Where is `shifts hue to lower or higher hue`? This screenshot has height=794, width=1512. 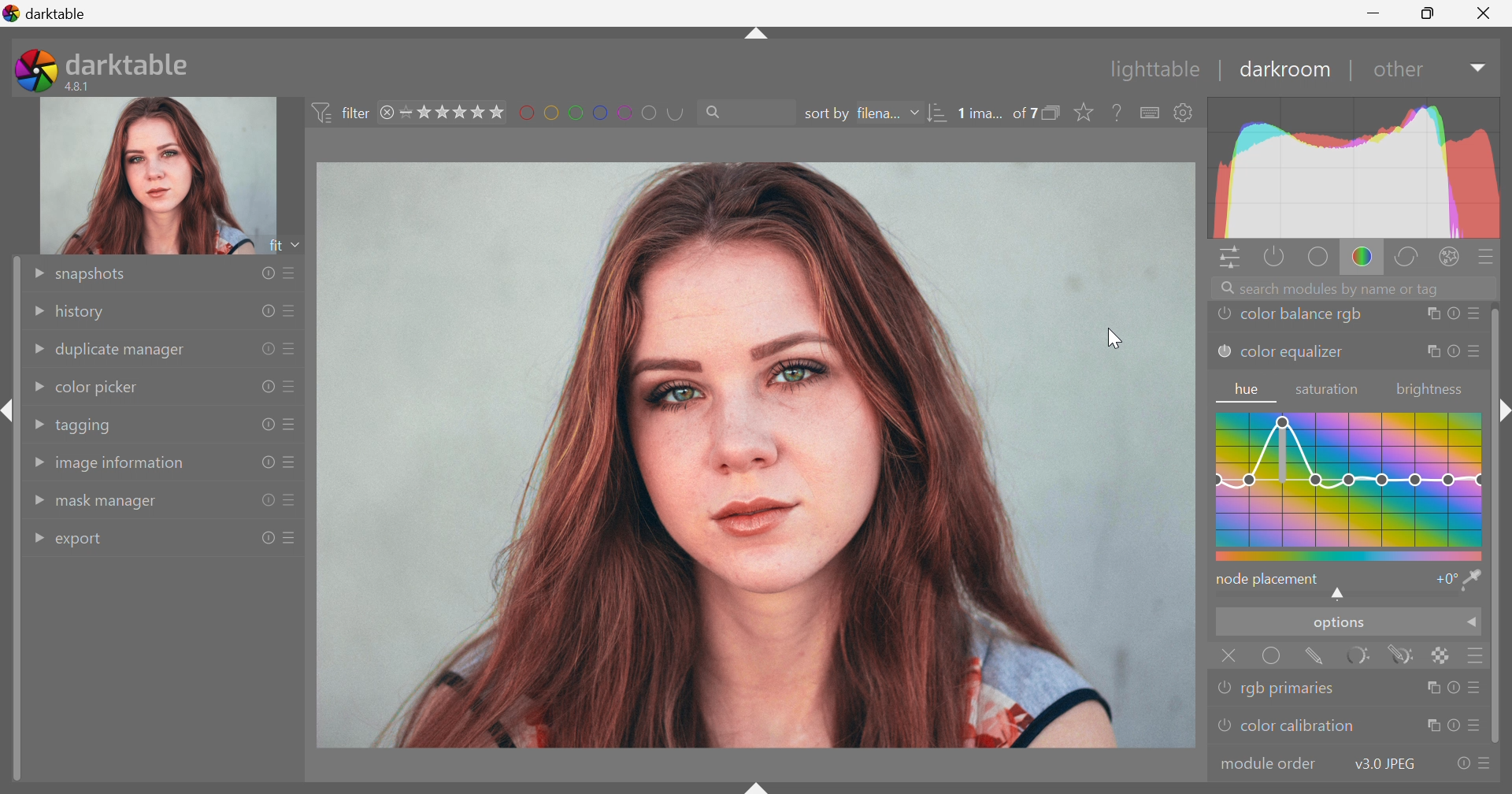
shifts hue to lower or higher hue is located at coordinates (1341, 595).